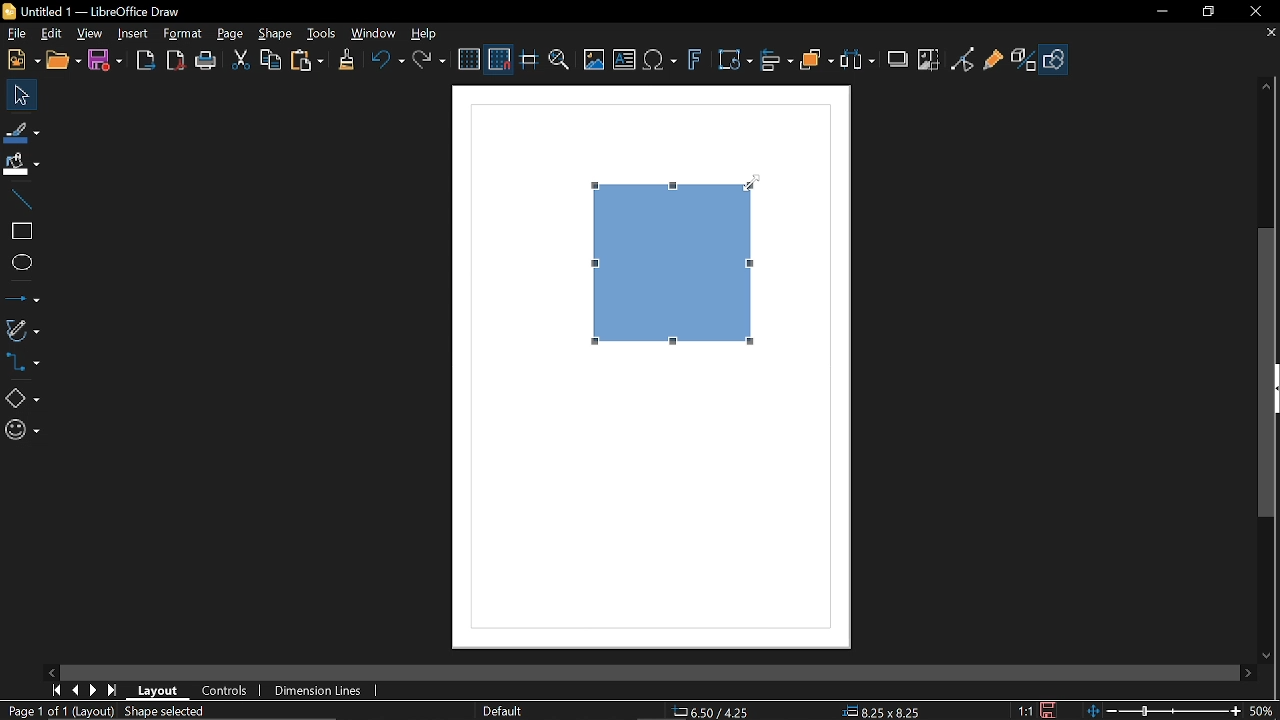 The height and width of the screenshot is (720, 1280). What do you see at coordinates (504, 712) in the screenshot?
I see `Default (Slide master name)` at bounding box center [504, 712].